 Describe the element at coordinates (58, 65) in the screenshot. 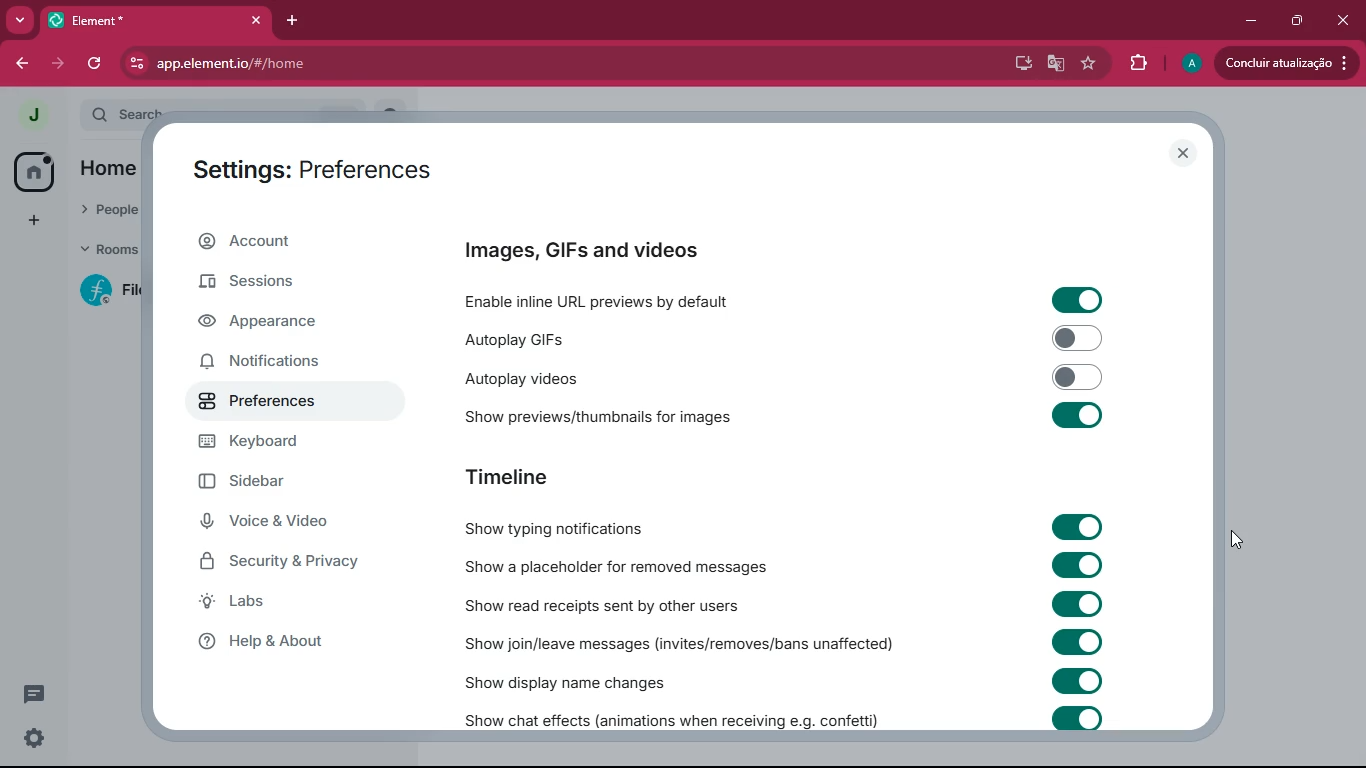

I see `forward` at that location.